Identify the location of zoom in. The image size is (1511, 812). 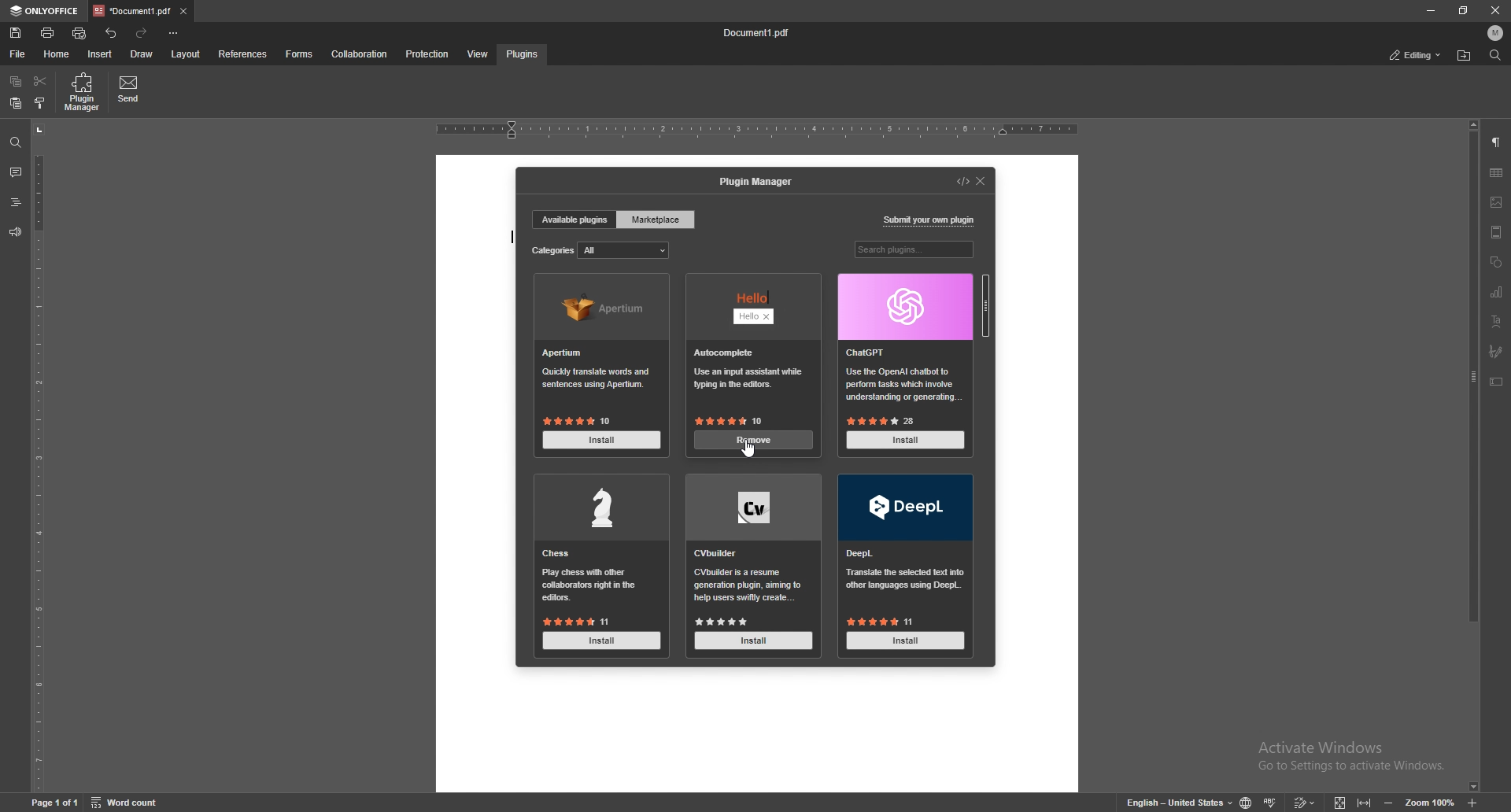
(1472, 803).